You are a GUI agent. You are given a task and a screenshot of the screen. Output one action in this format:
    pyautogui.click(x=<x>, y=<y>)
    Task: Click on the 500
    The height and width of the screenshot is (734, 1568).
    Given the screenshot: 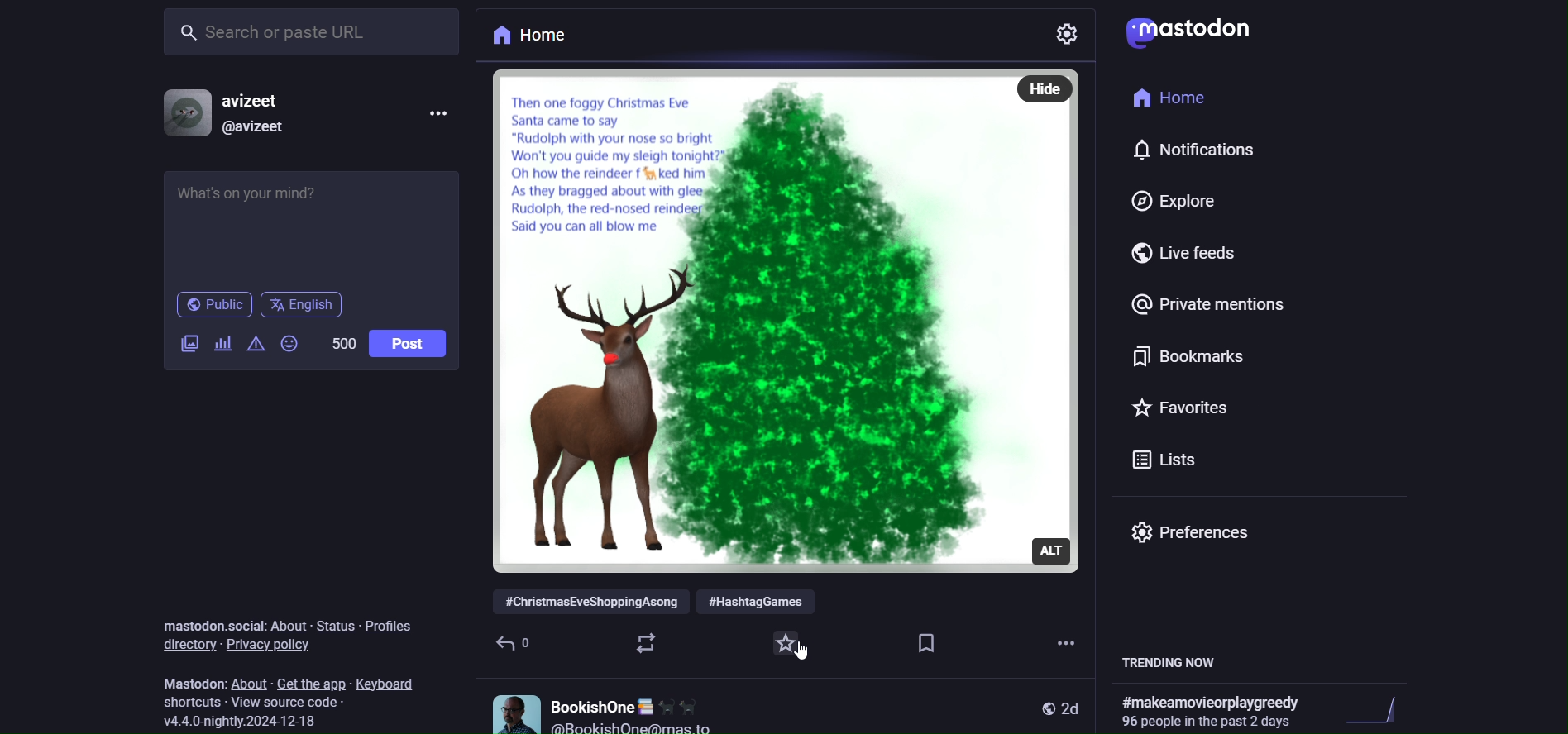 What is the action you would take?
    pyautogui.click(x=338, y=342)
    